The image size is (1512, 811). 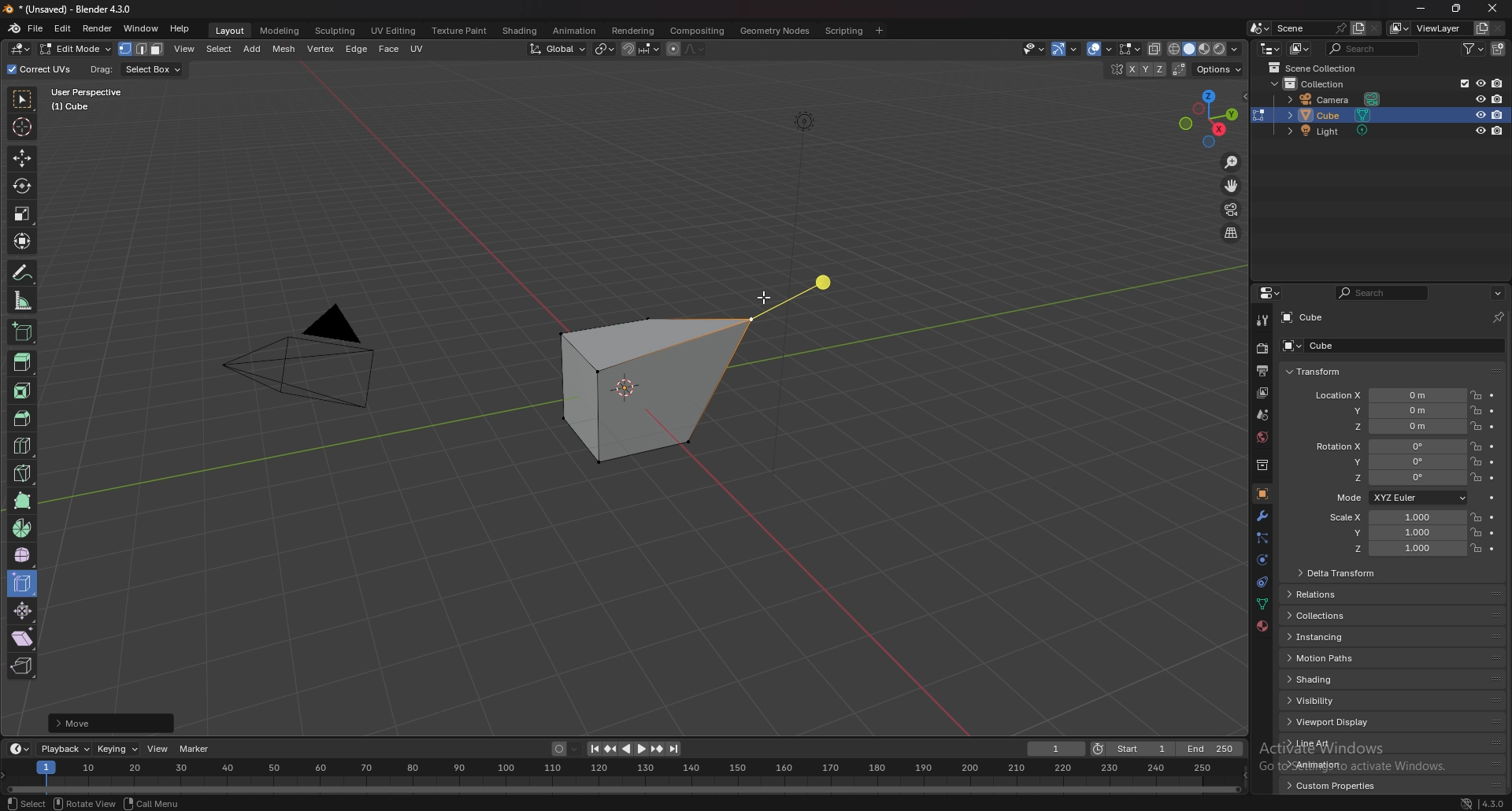 What do you see at coordinates (36, 28) in the screenshot?
I see `file` at bounding box center [36, 28].